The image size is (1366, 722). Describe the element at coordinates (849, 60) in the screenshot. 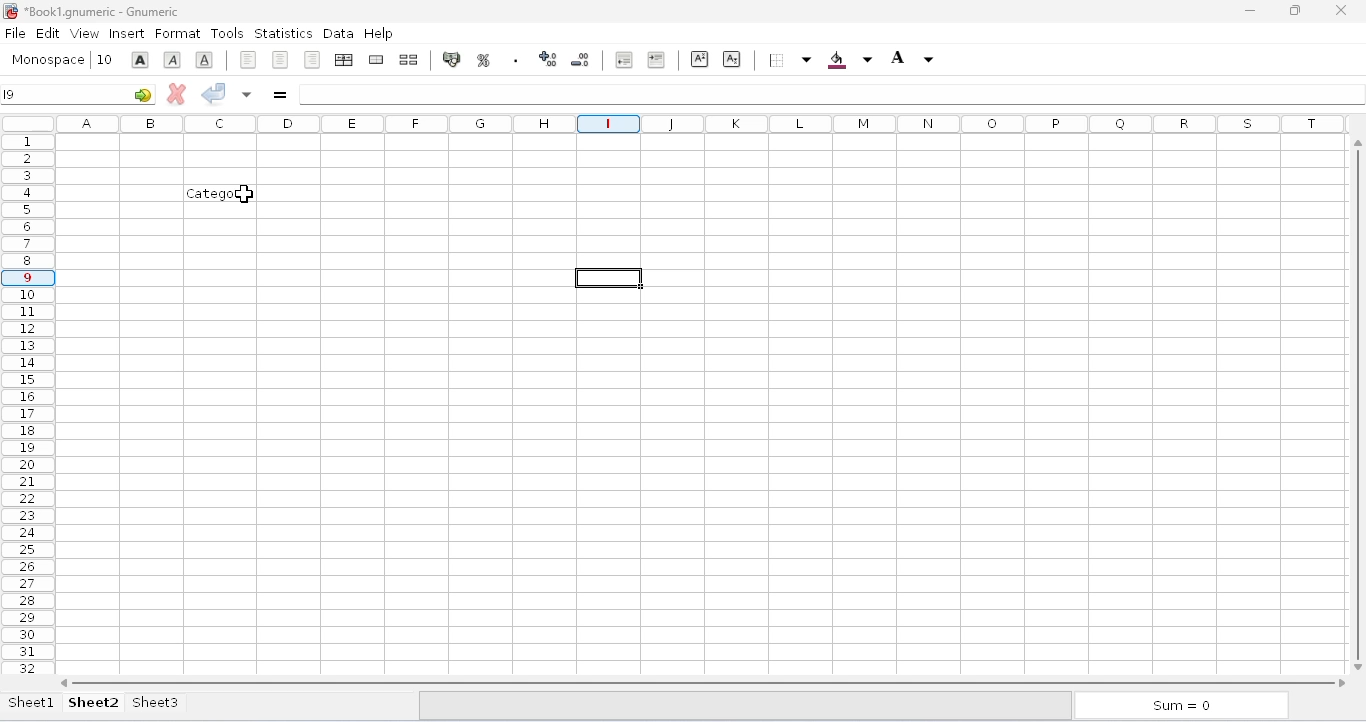

I see `background` at that location.